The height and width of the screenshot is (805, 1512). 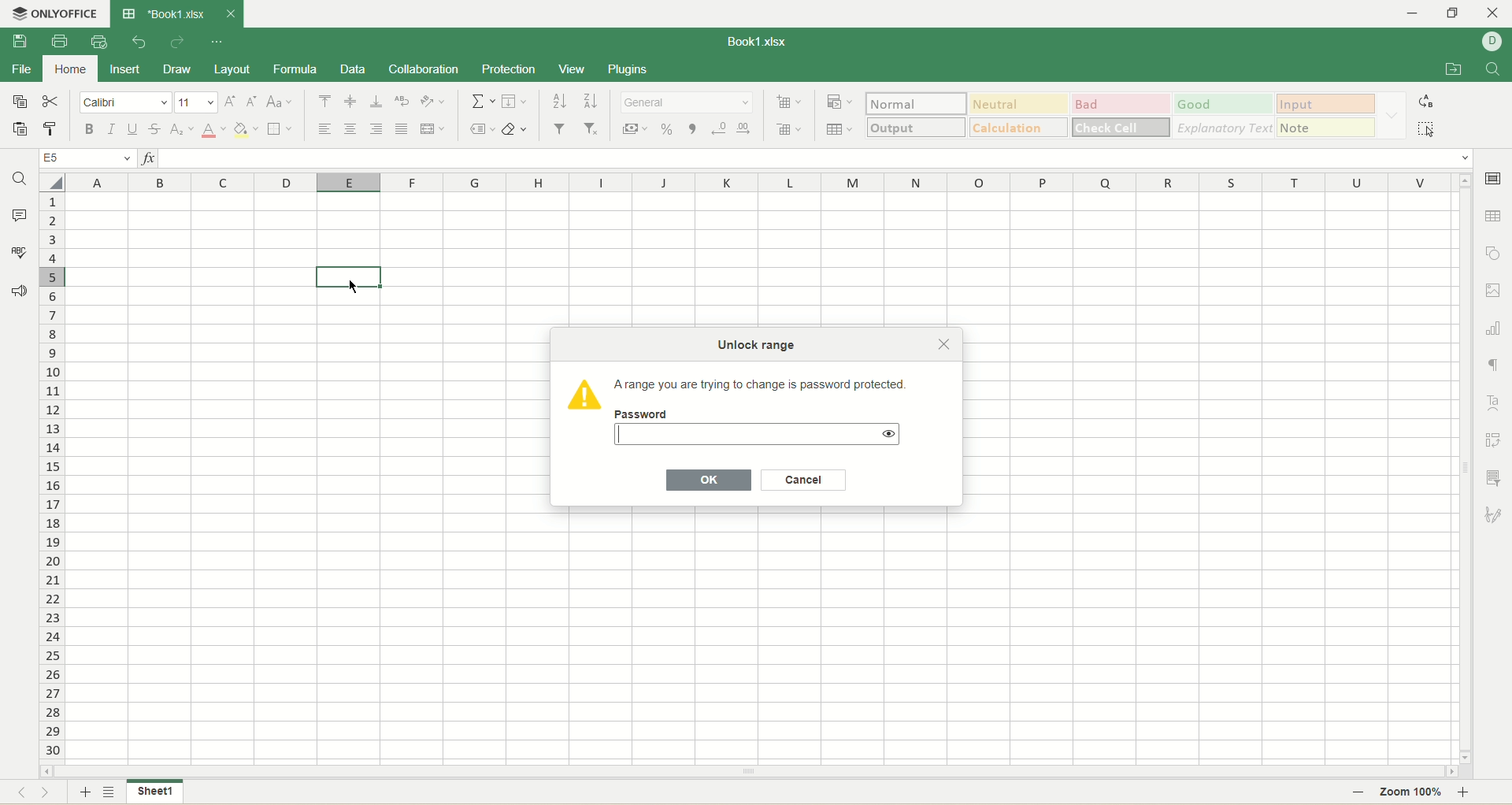 What do you see at coordinates (128, 103) in the screenshot?
I see `font name` at bounding box center [128, 103].